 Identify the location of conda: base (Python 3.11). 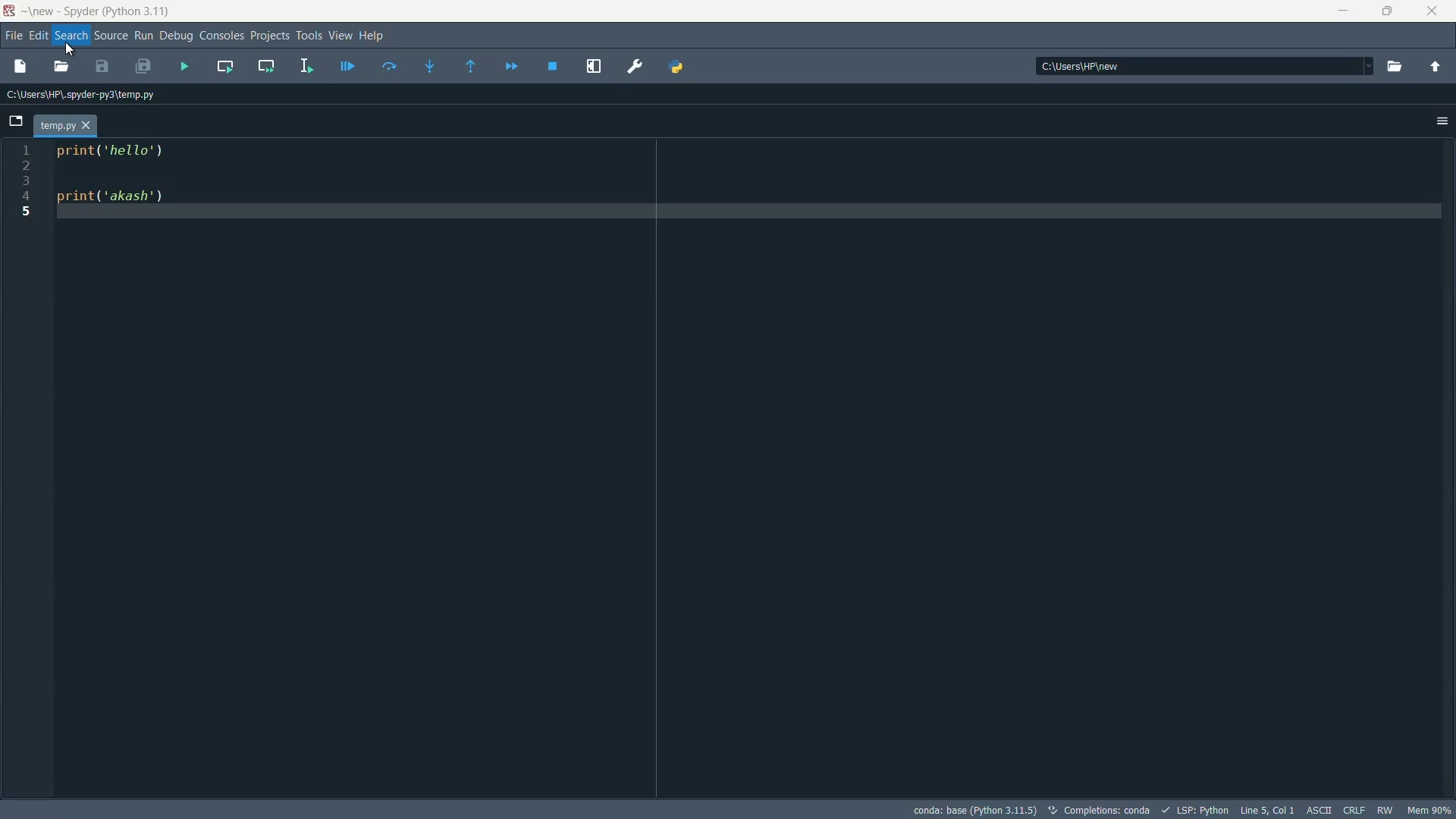
(973, 811).